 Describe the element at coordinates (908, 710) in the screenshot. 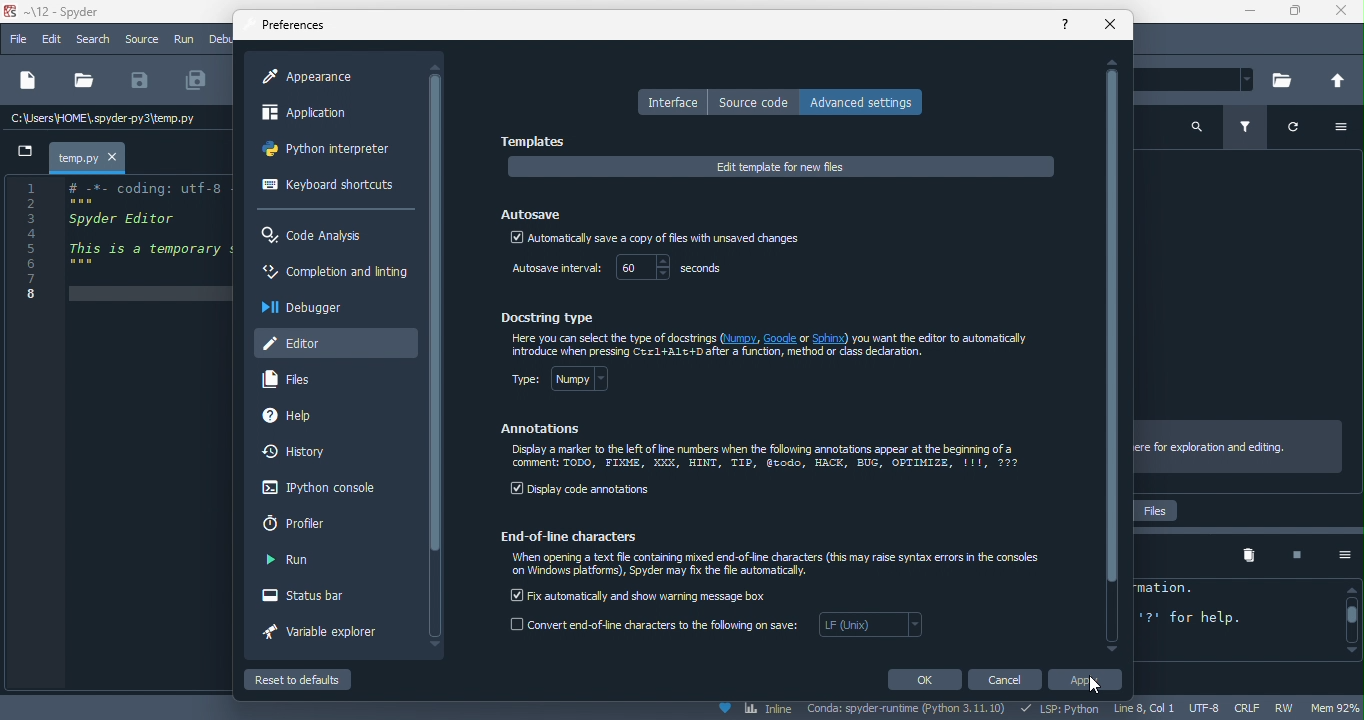

I see `conda spyder runtime` at that location.